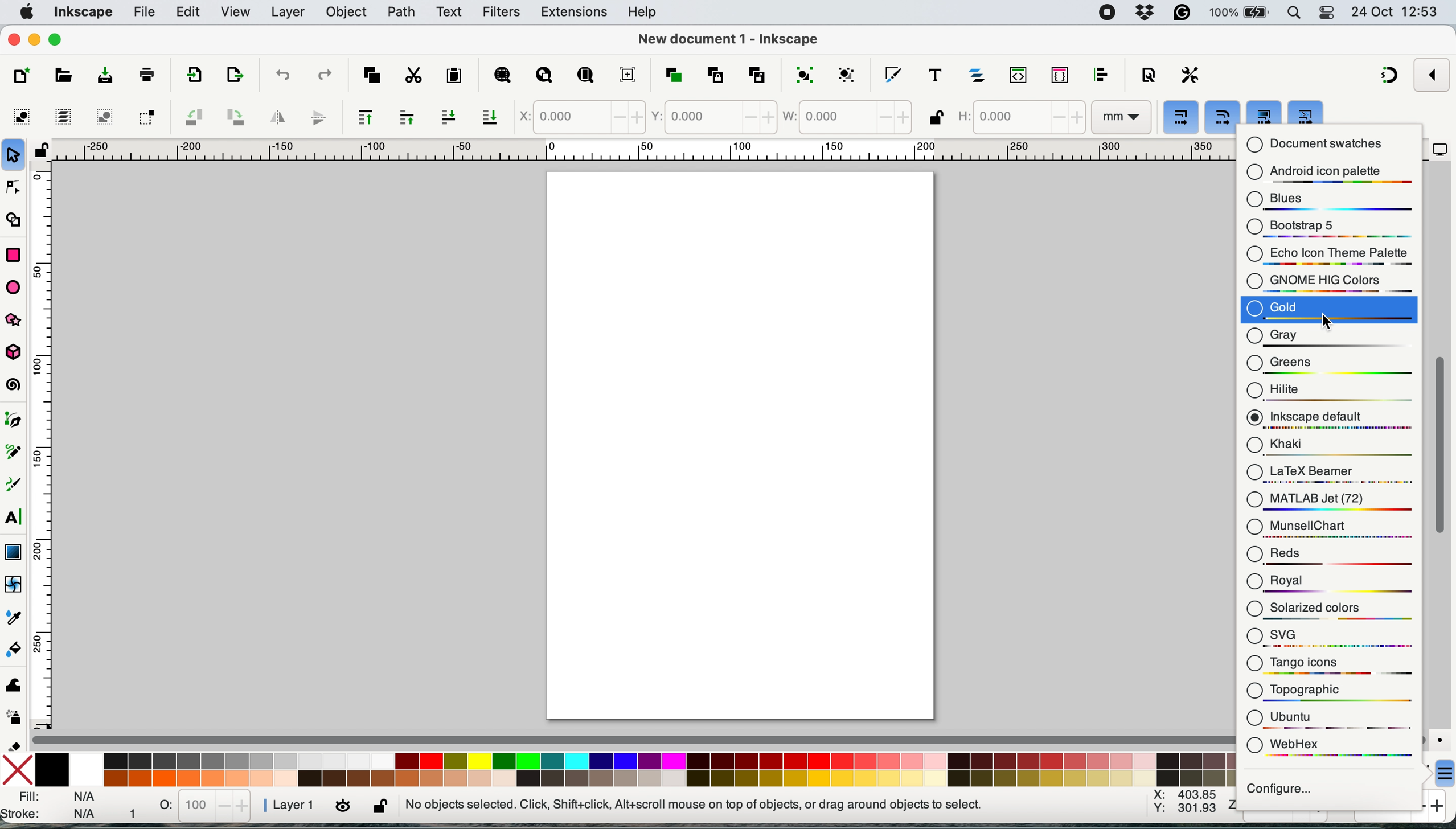  What do you see at coordinates (1320, 170) in the screenshot?
I see `android icon palette` at bounding box center [1320, 170].